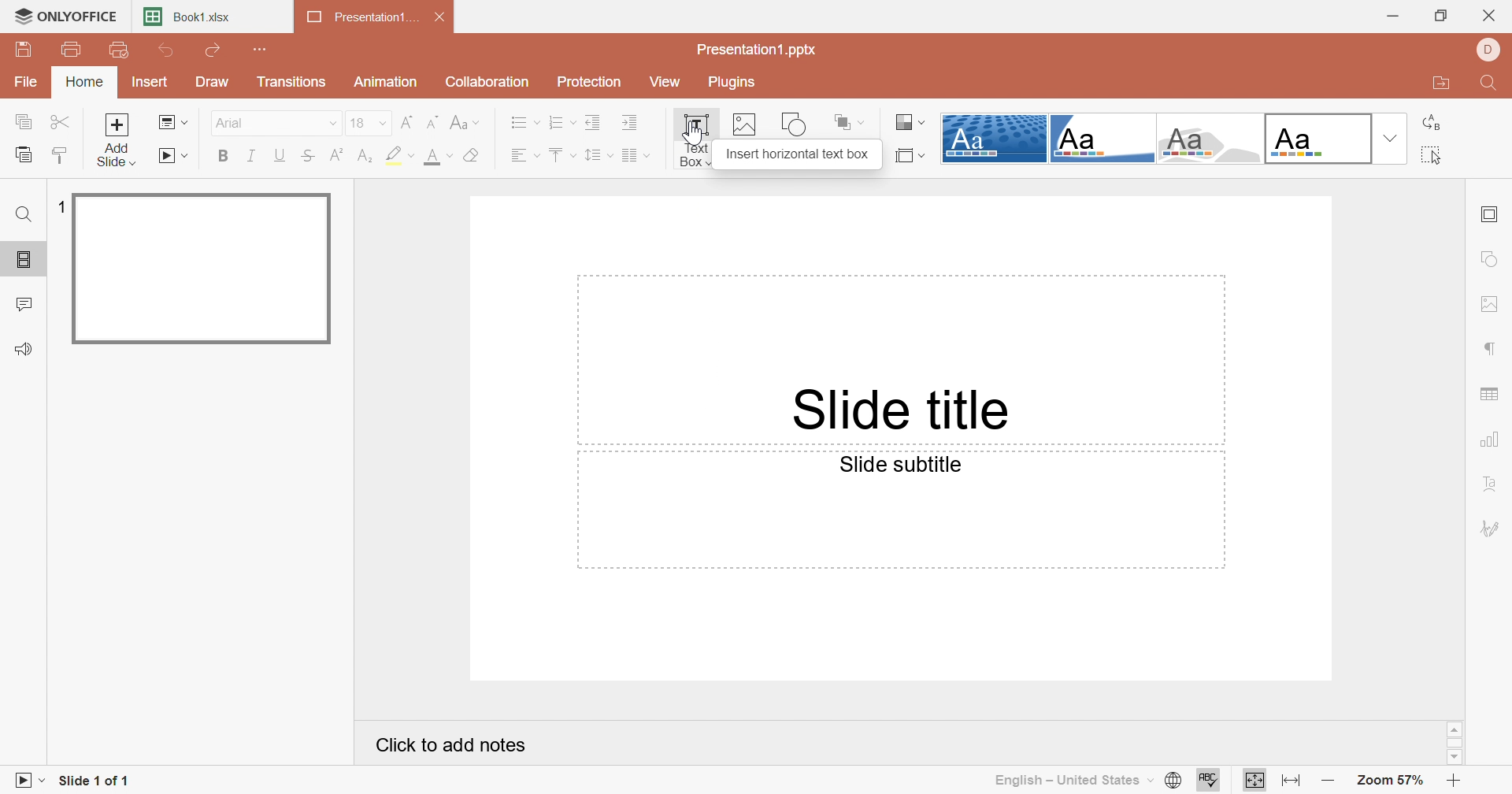 The image size is (1512, 794). What do you see at coordinates (797, 123) in the screenshot?
I see `Shape` at bounding box center [797, 123].